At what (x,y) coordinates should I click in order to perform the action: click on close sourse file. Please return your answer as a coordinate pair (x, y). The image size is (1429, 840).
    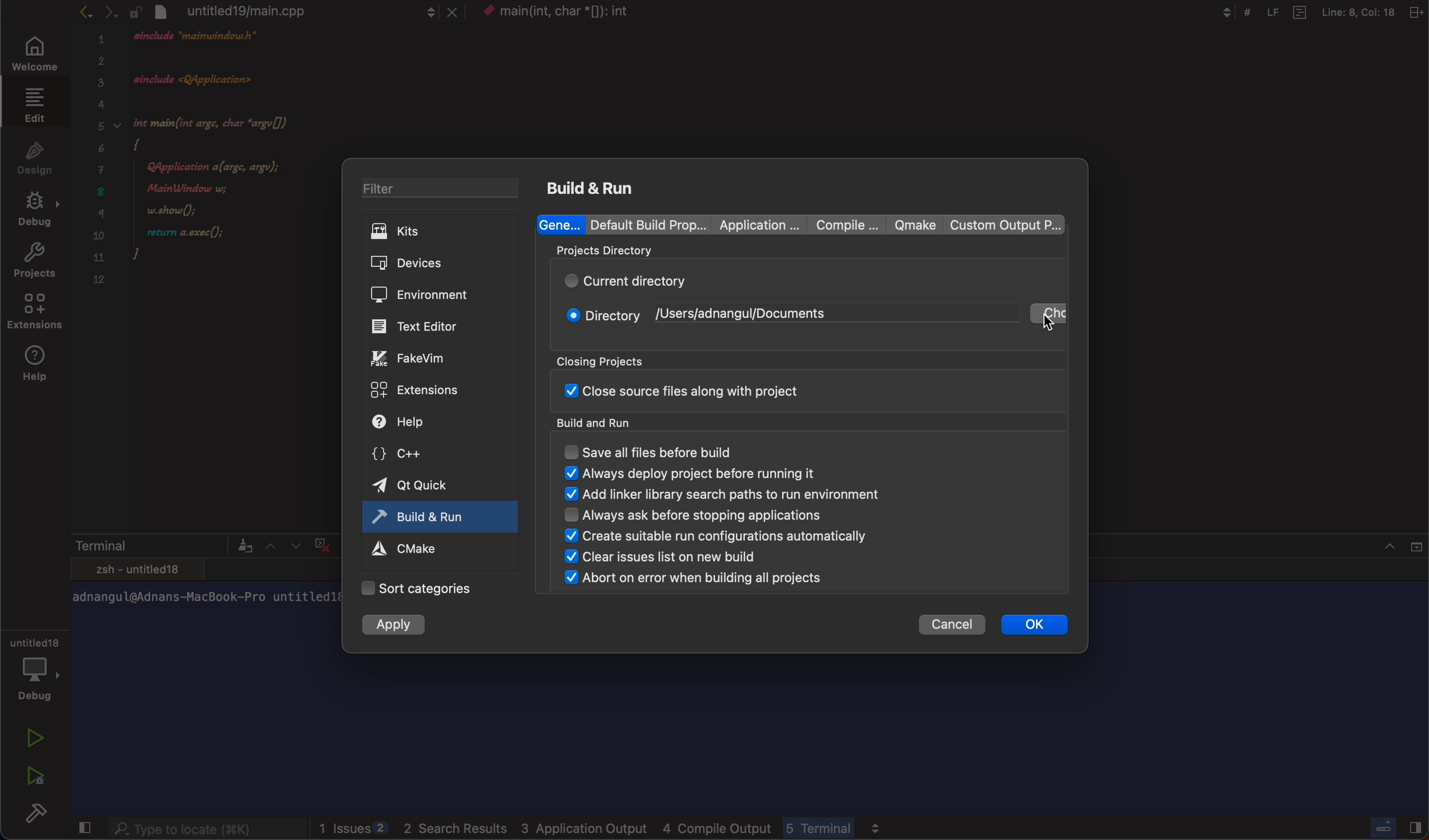
    Looking at the image, I should click on (692, 390).